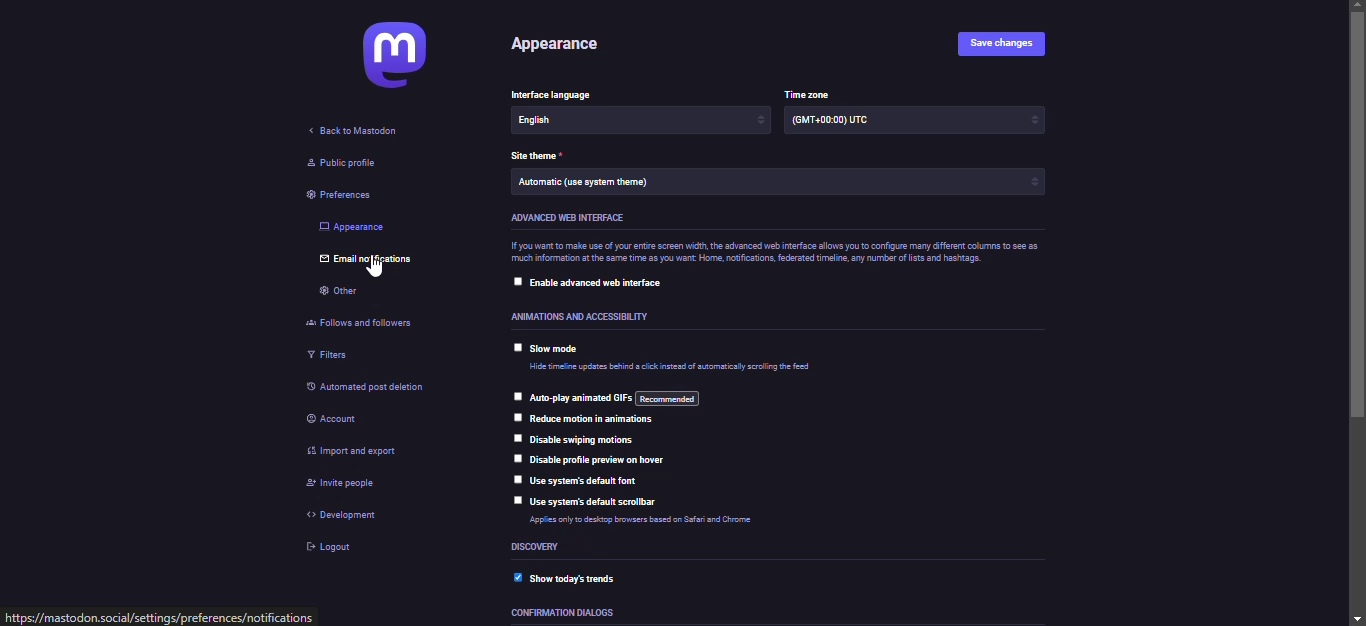 Image resolution: width=1366 pixels, height=626 pixels. What do you see at coordinates (775, 254) in the screenshot?
I see `info` at bounding box center [775, 254].